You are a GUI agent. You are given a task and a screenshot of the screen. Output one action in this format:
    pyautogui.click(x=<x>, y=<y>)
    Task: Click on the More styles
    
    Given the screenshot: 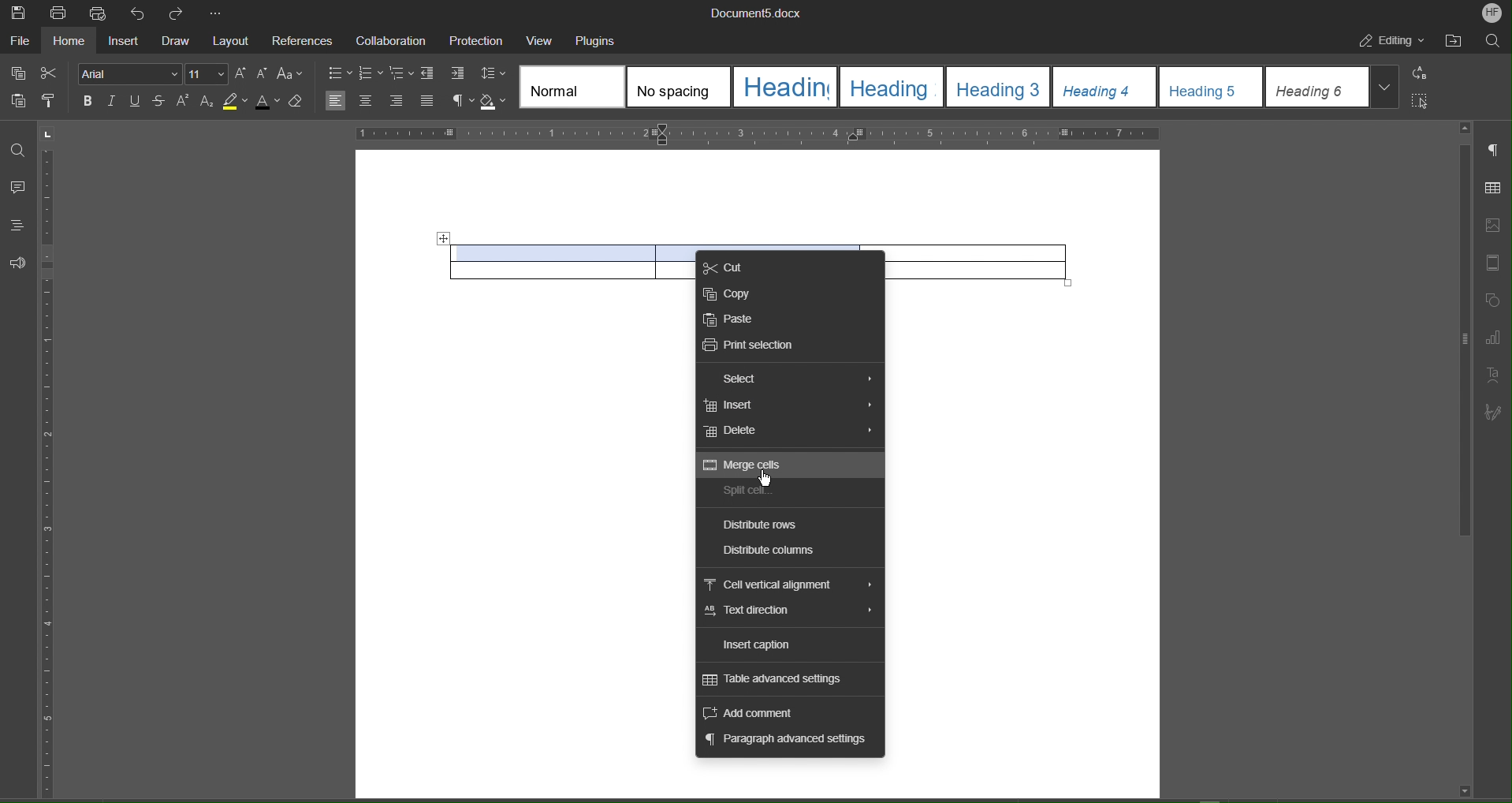 What is the action you would take?
    pyautogui.click(x=1385, y=85)
    